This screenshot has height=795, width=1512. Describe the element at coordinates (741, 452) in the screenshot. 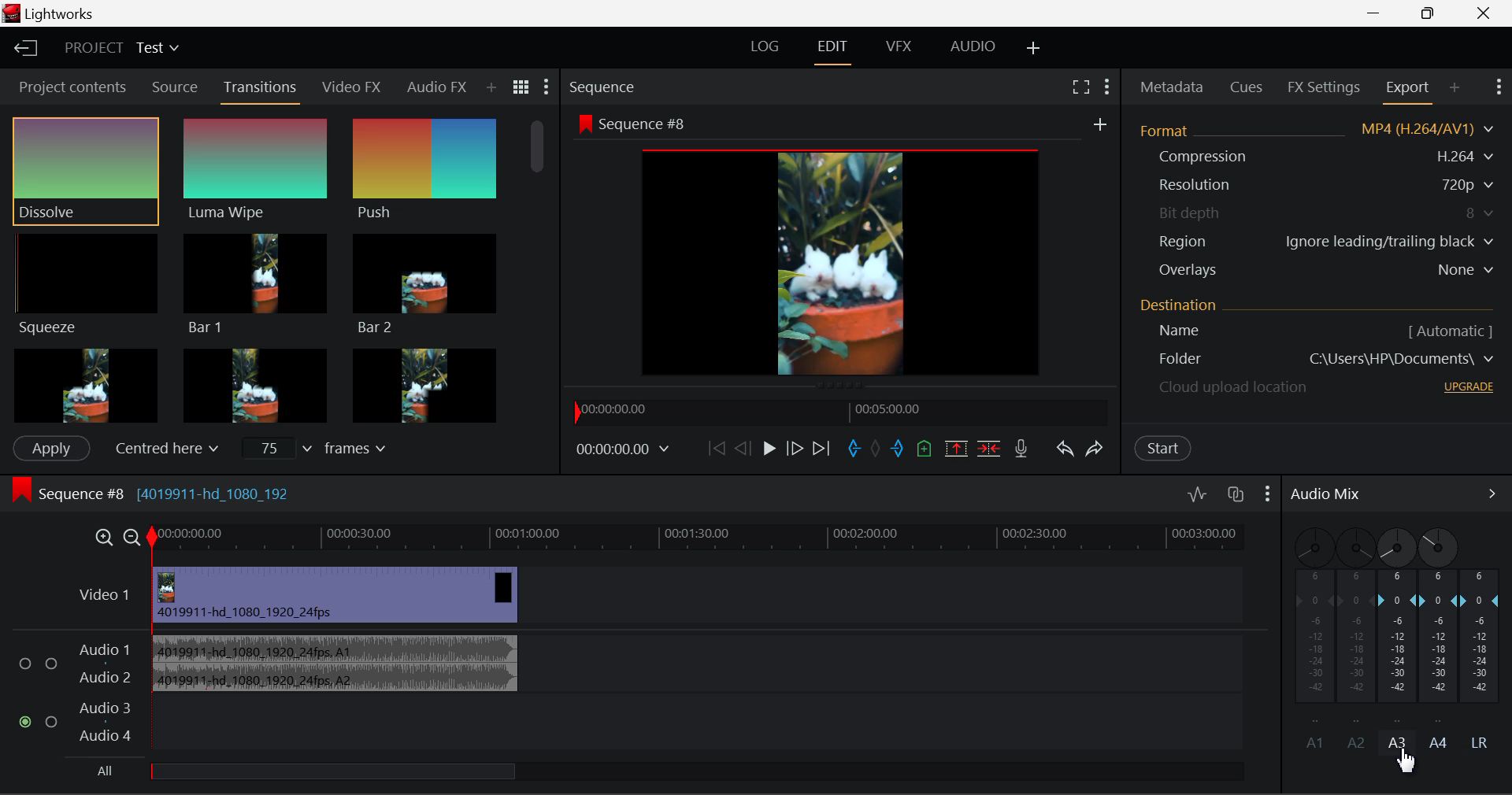

I see `Go Back` at that location.